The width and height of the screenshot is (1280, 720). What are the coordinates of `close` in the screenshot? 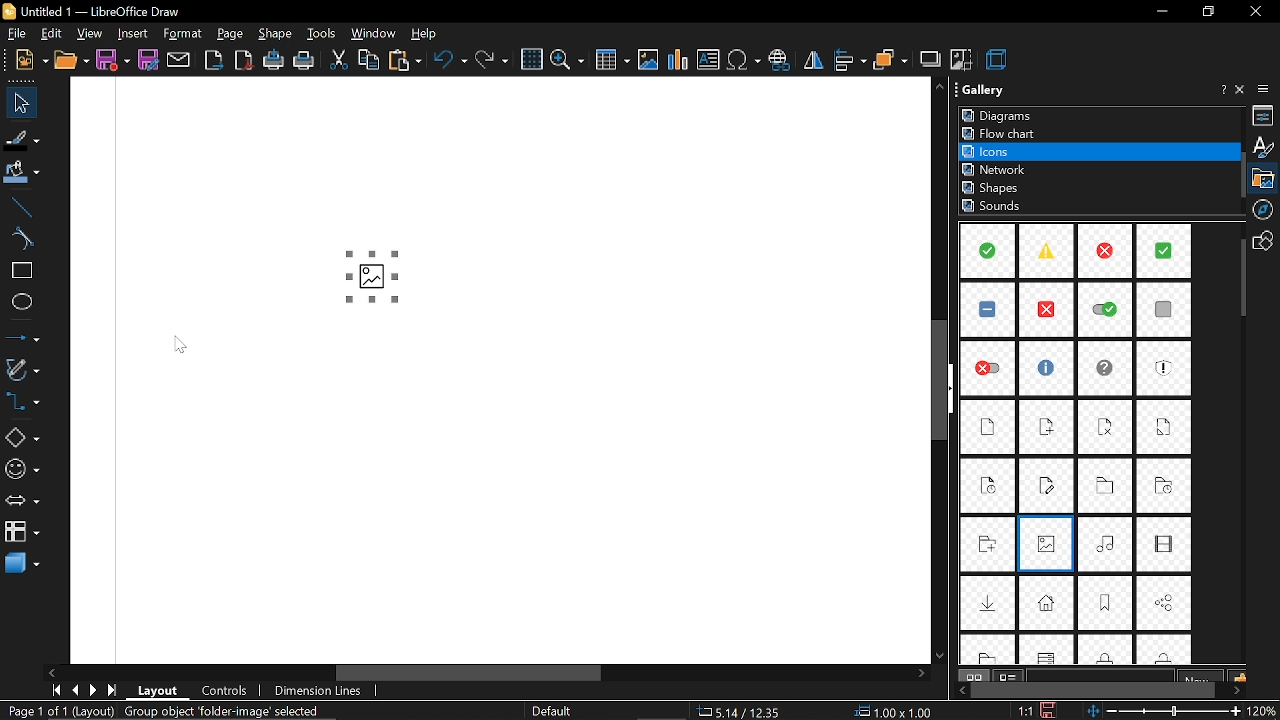 It's located at (1242, 90).